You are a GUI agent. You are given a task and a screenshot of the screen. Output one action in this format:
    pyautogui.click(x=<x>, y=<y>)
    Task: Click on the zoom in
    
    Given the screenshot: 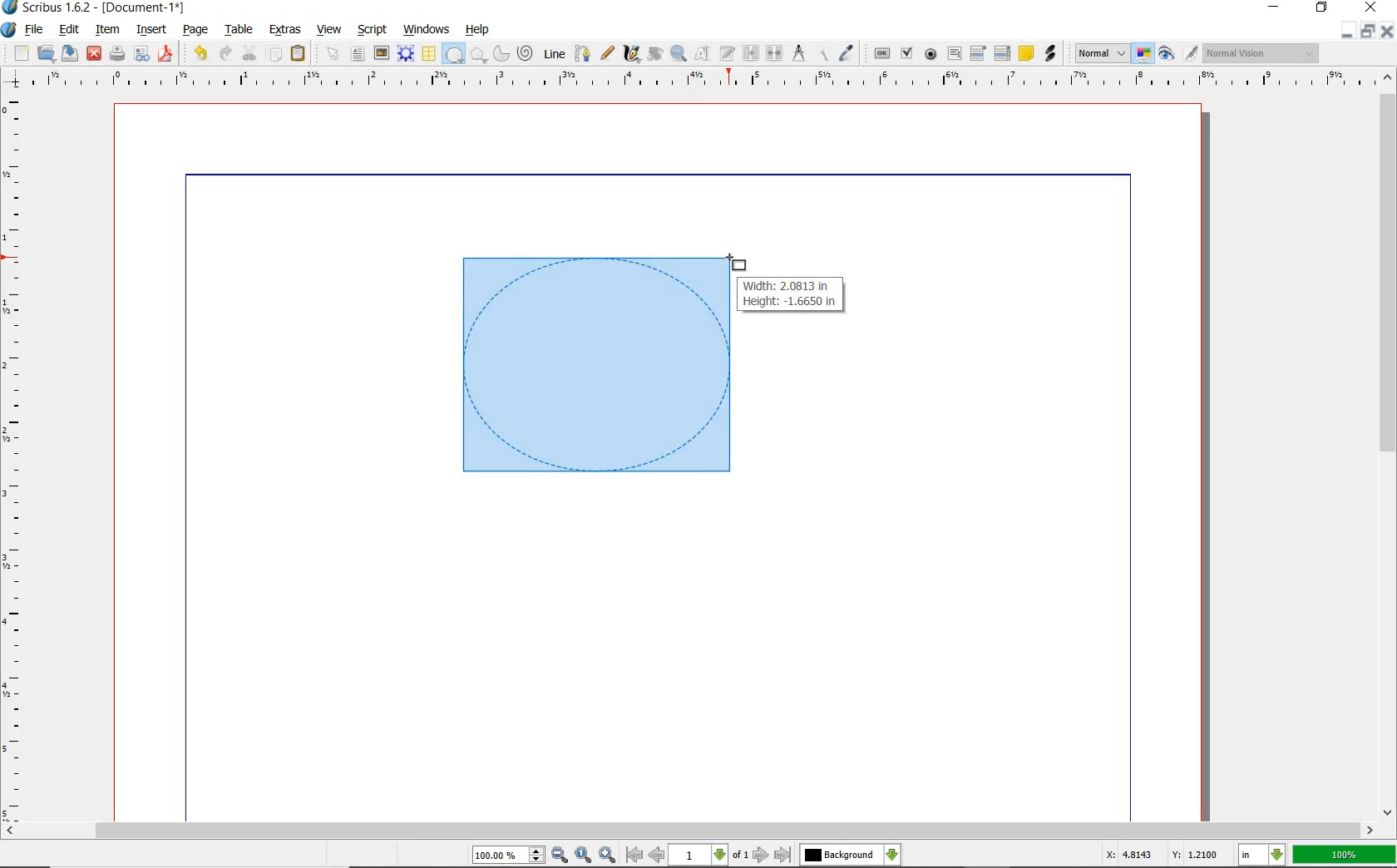 What is the action you would take?
    pyautogui.click(x=609, y=854)
    